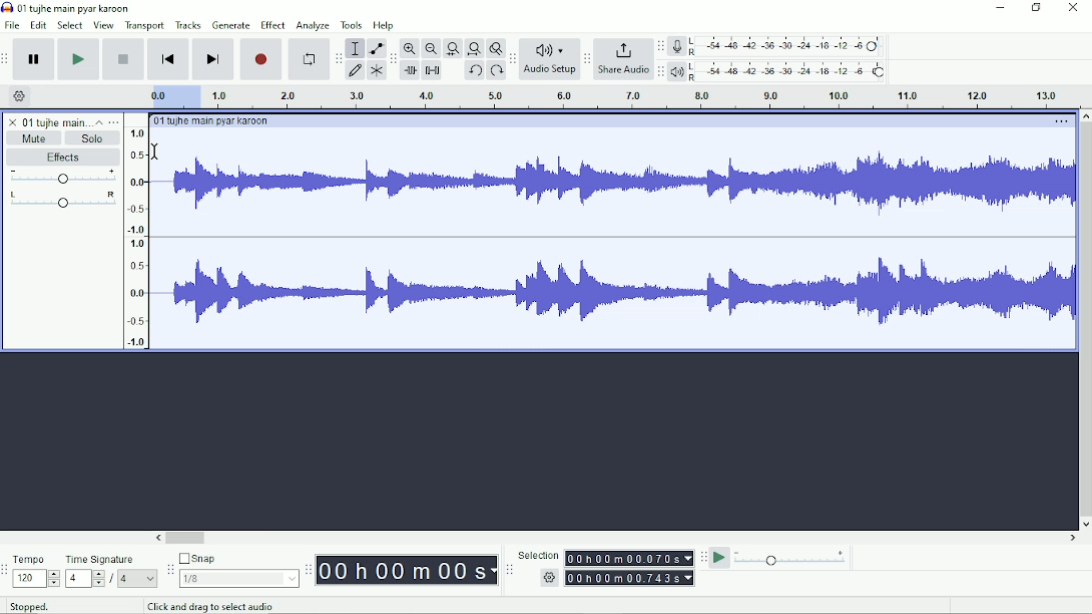  I want to click on Audacity time toolbar, so click(307, 570).